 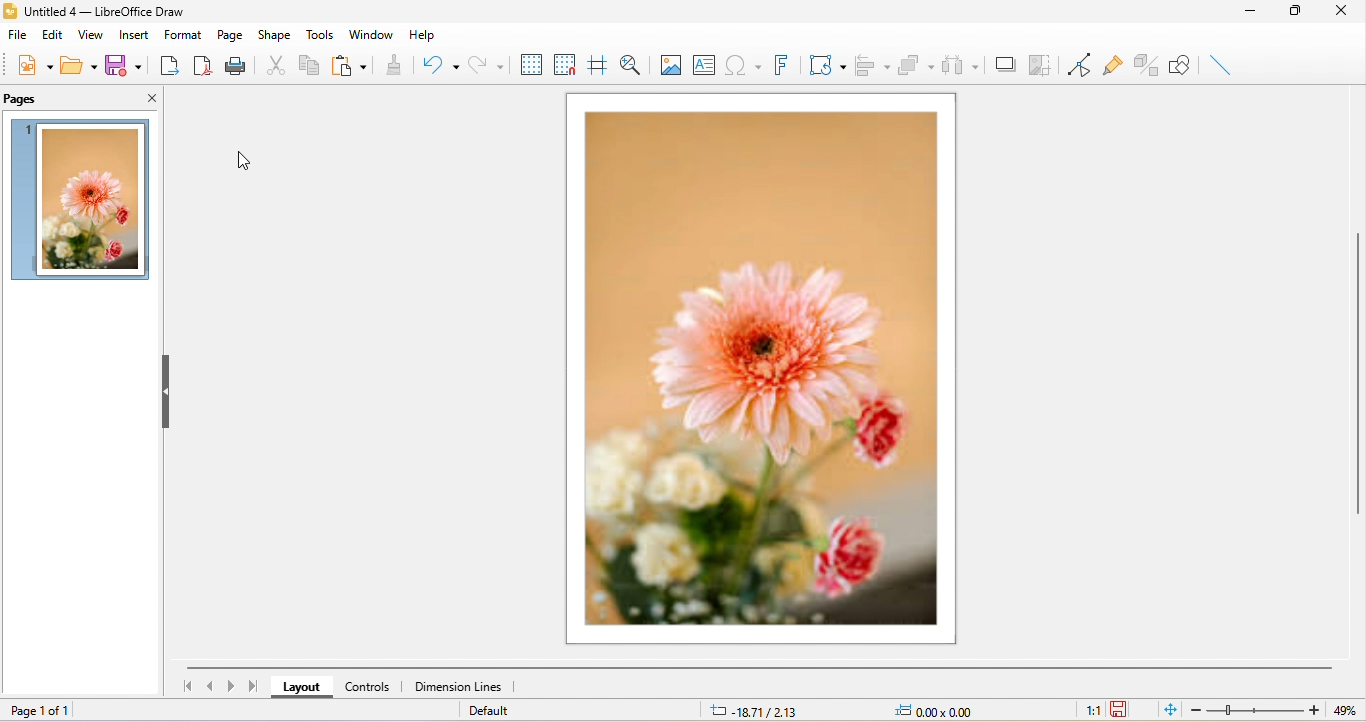 What do you see at coordinates (872, 65) in the screenshot?
I see `align object` at bounding box center [872, 65].